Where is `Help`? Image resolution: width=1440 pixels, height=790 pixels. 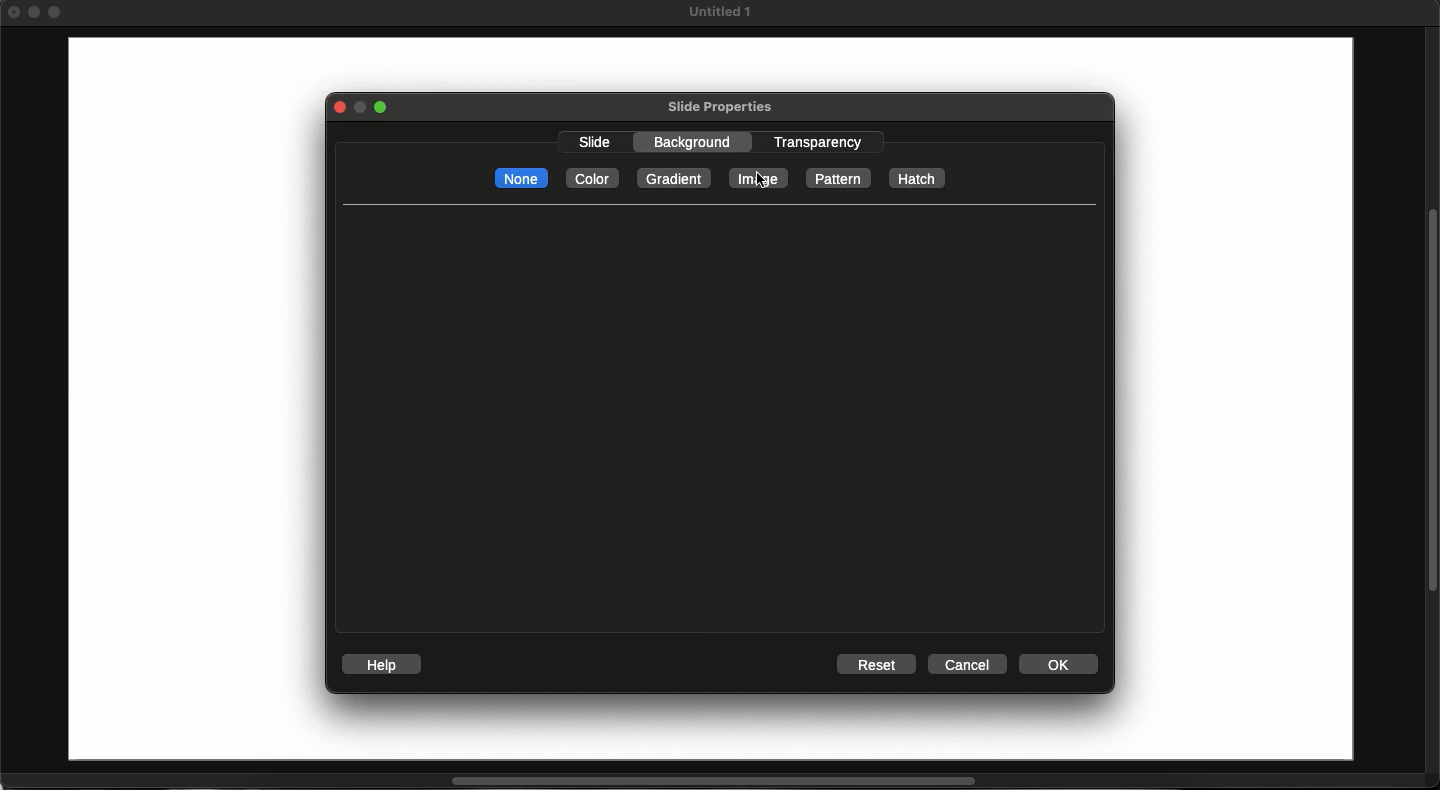
Help is located at coordinates (384, 665).